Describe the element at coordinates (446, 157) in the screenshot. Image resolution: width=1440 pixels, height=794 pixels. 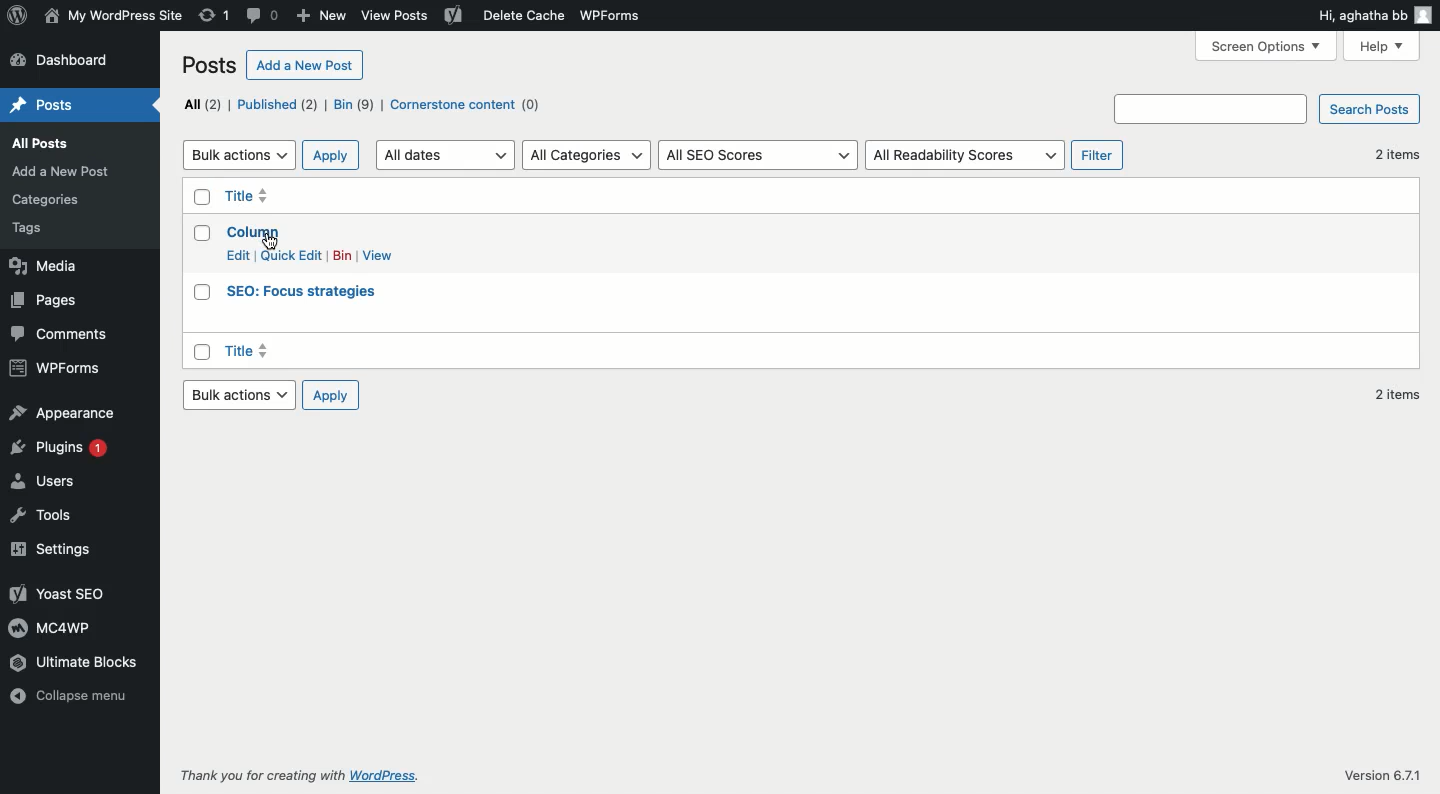
I see `All dates` at that location.